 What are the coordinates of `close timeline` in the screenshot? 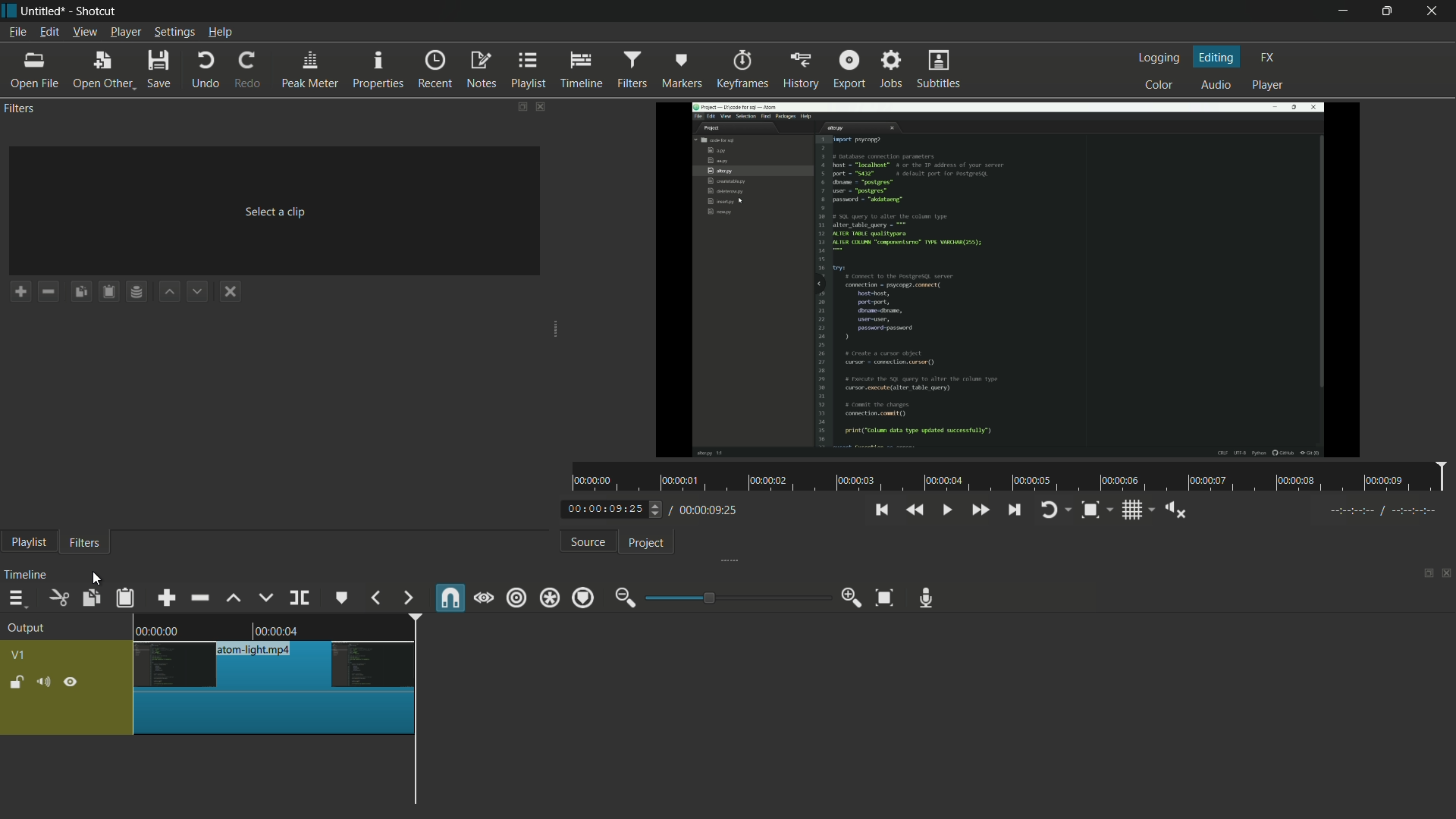 It's located at (1447, 573).